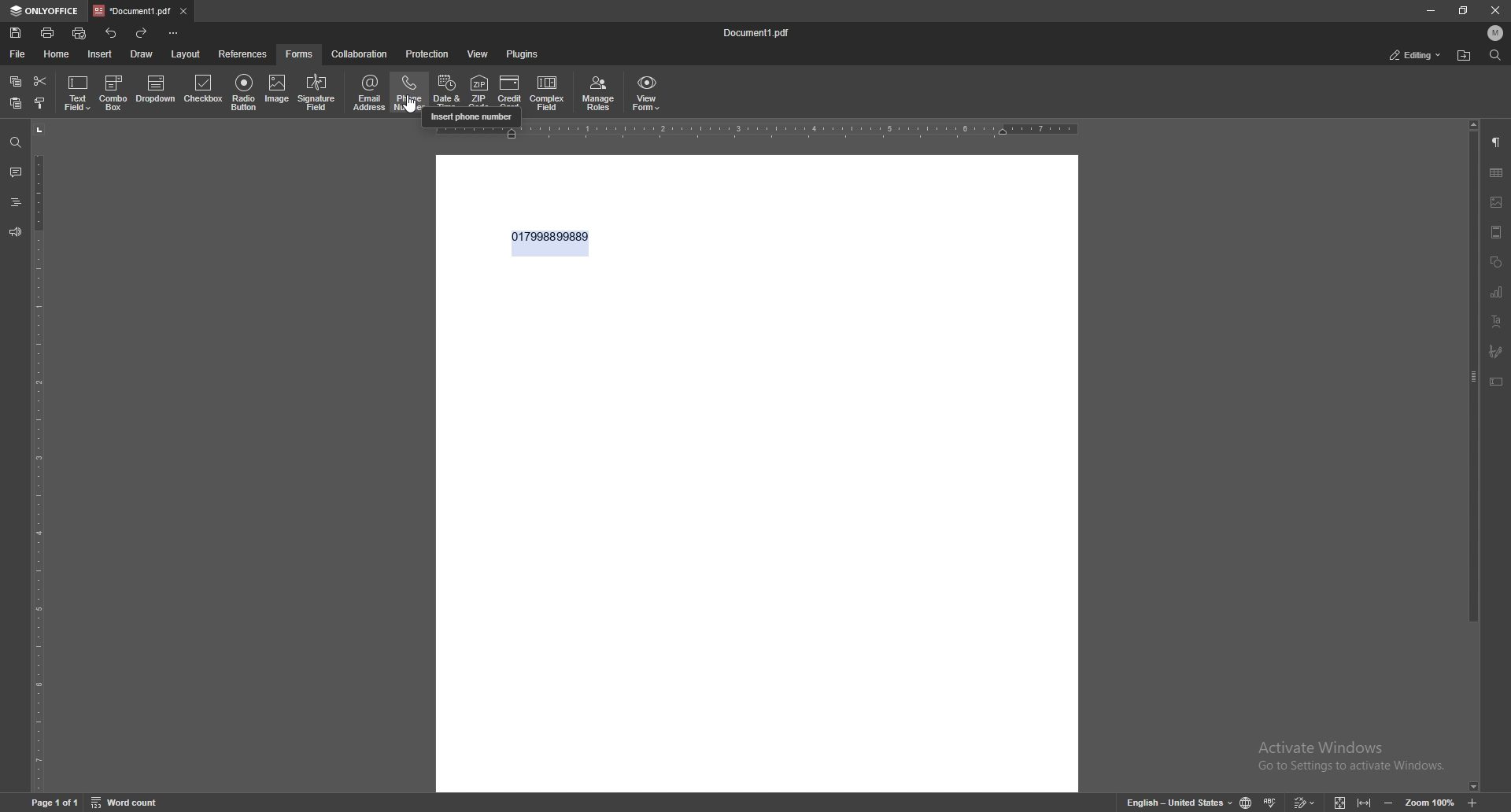 Image resolution: width=1511 pixels, height=812 pixels. What do you see at coordinates (1495, 142) in the screenshot?
I see `paragraph` at bounding box center [1495, 142].